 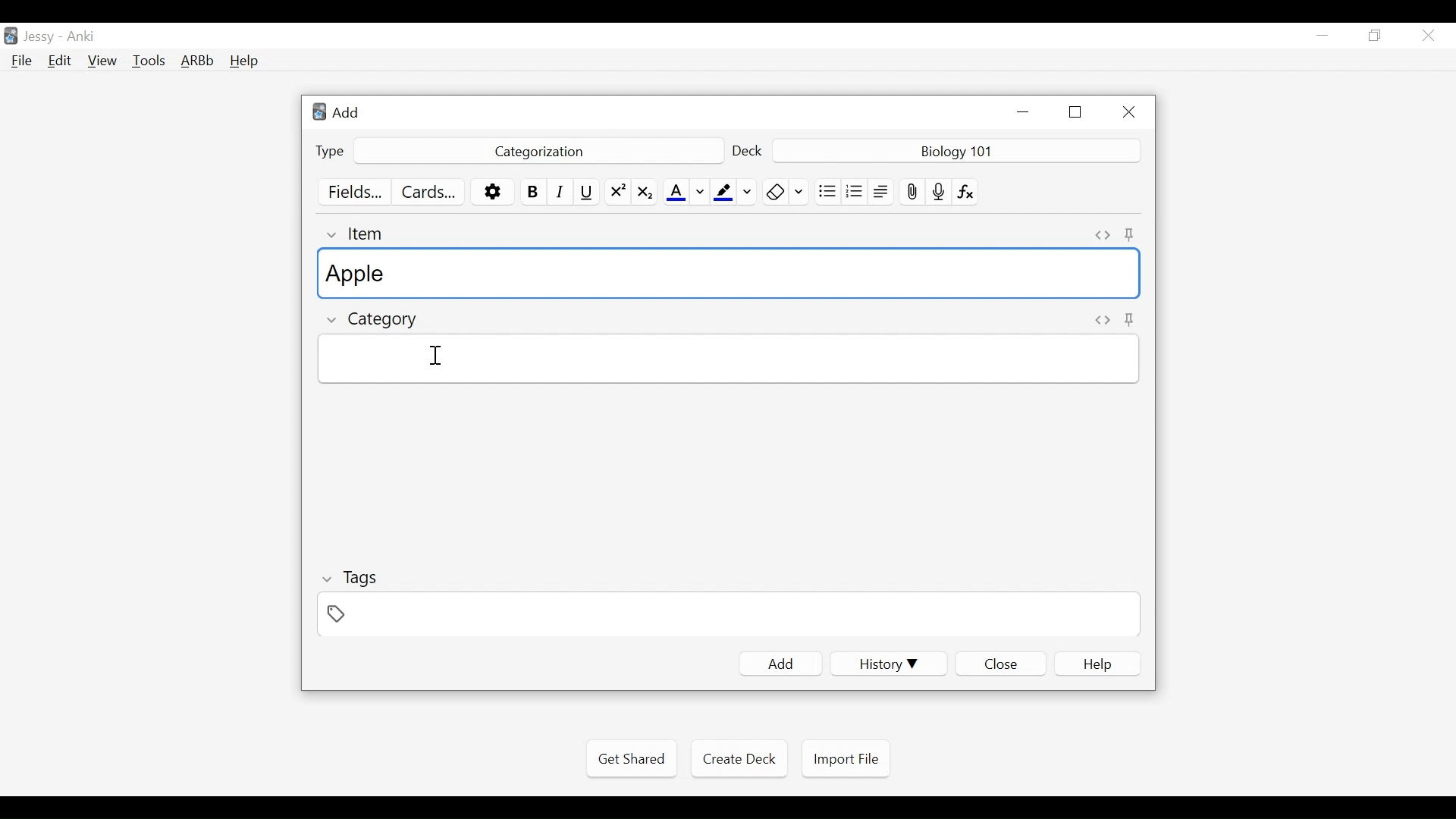 I want to click on Categorization, so click(x=536, y=152).